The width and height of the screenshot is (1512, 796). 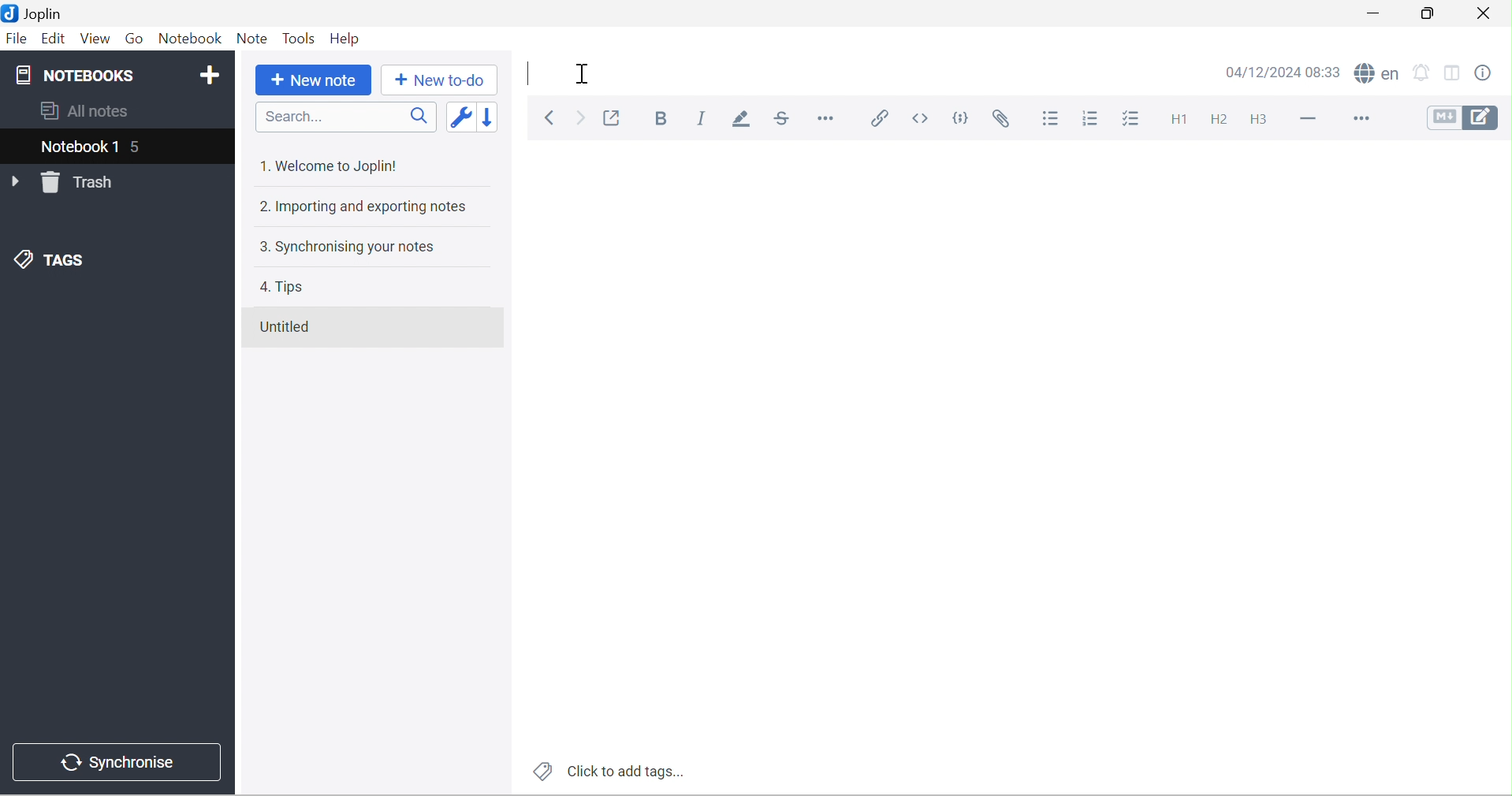 I want to click on 5, so click(x=137, y=148).